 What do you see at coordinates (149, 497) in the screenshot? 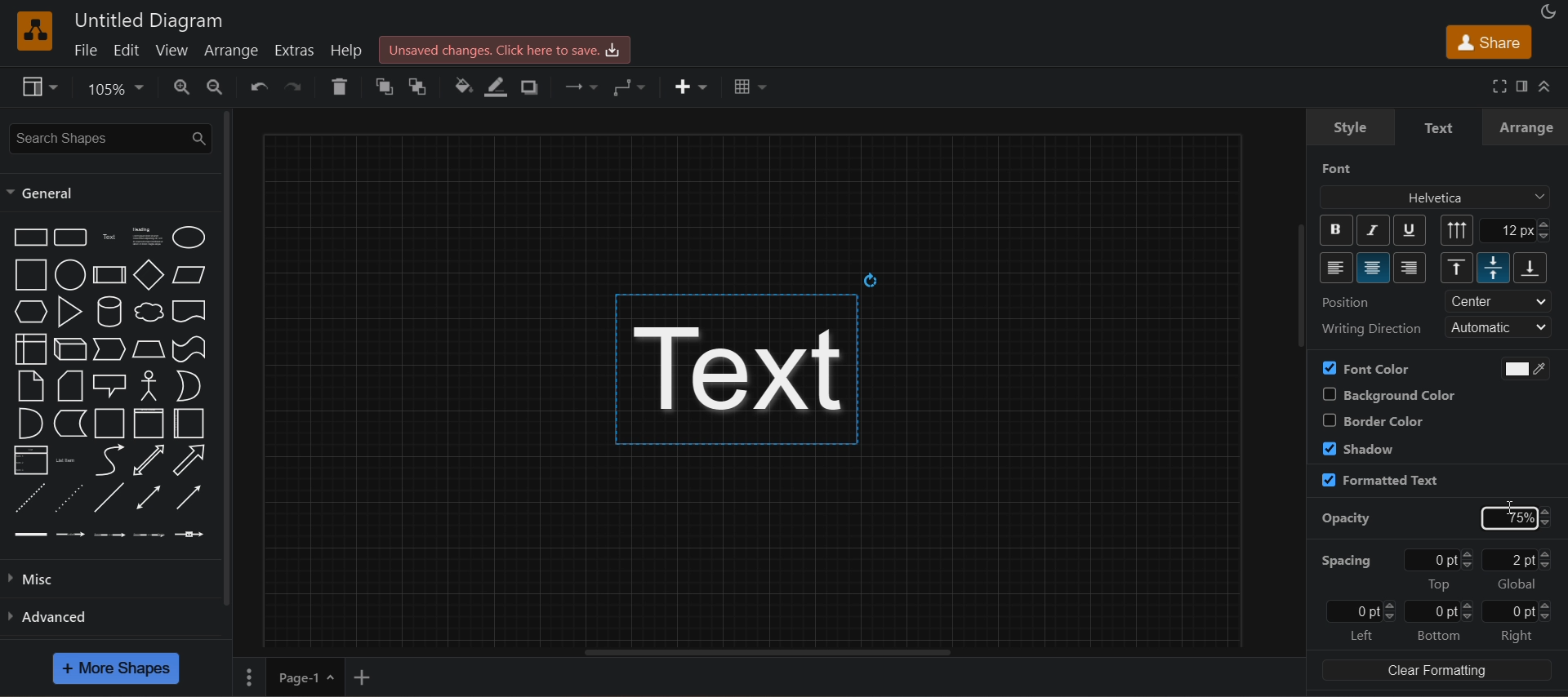
I see `bidirectional connector` at bounding box center [149, 497].